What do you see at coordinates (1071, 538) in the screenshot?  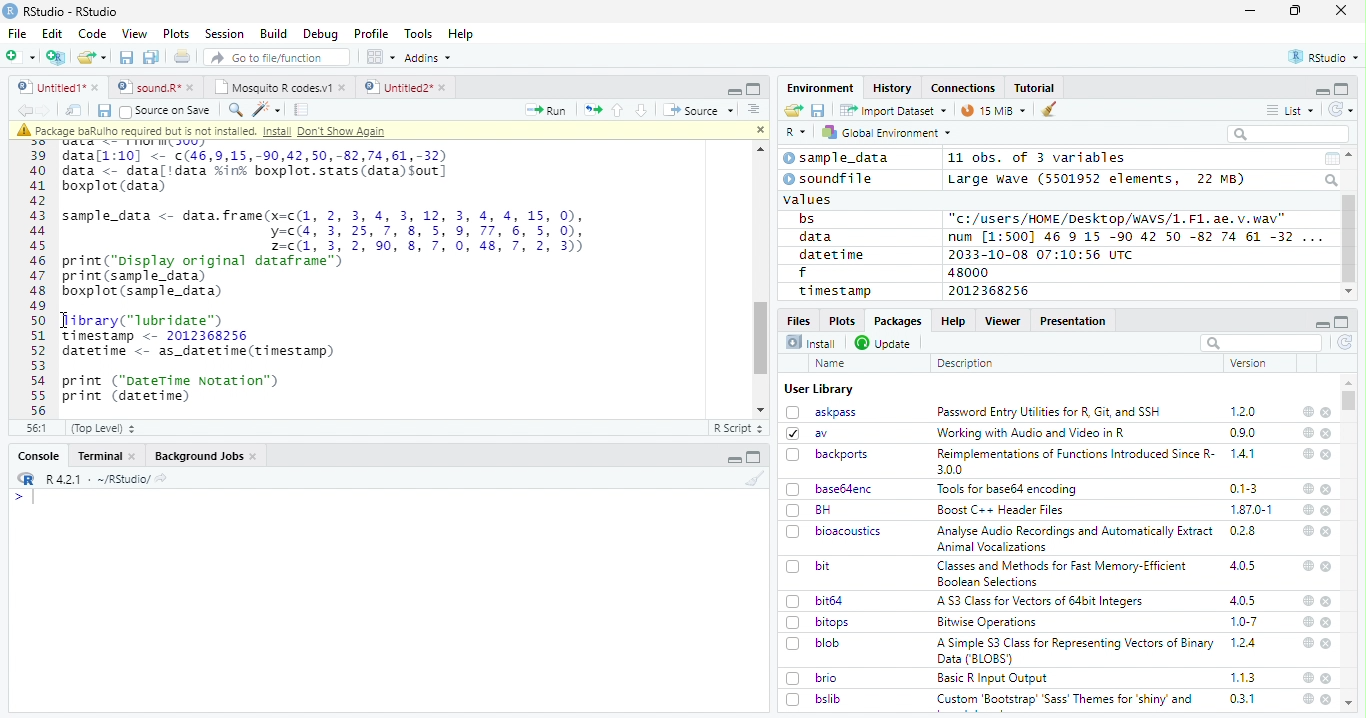 I see `Analyse Audio Recordings and Automatically ExtractAnimal Vocalizations` at bounding box center [1071, 538].